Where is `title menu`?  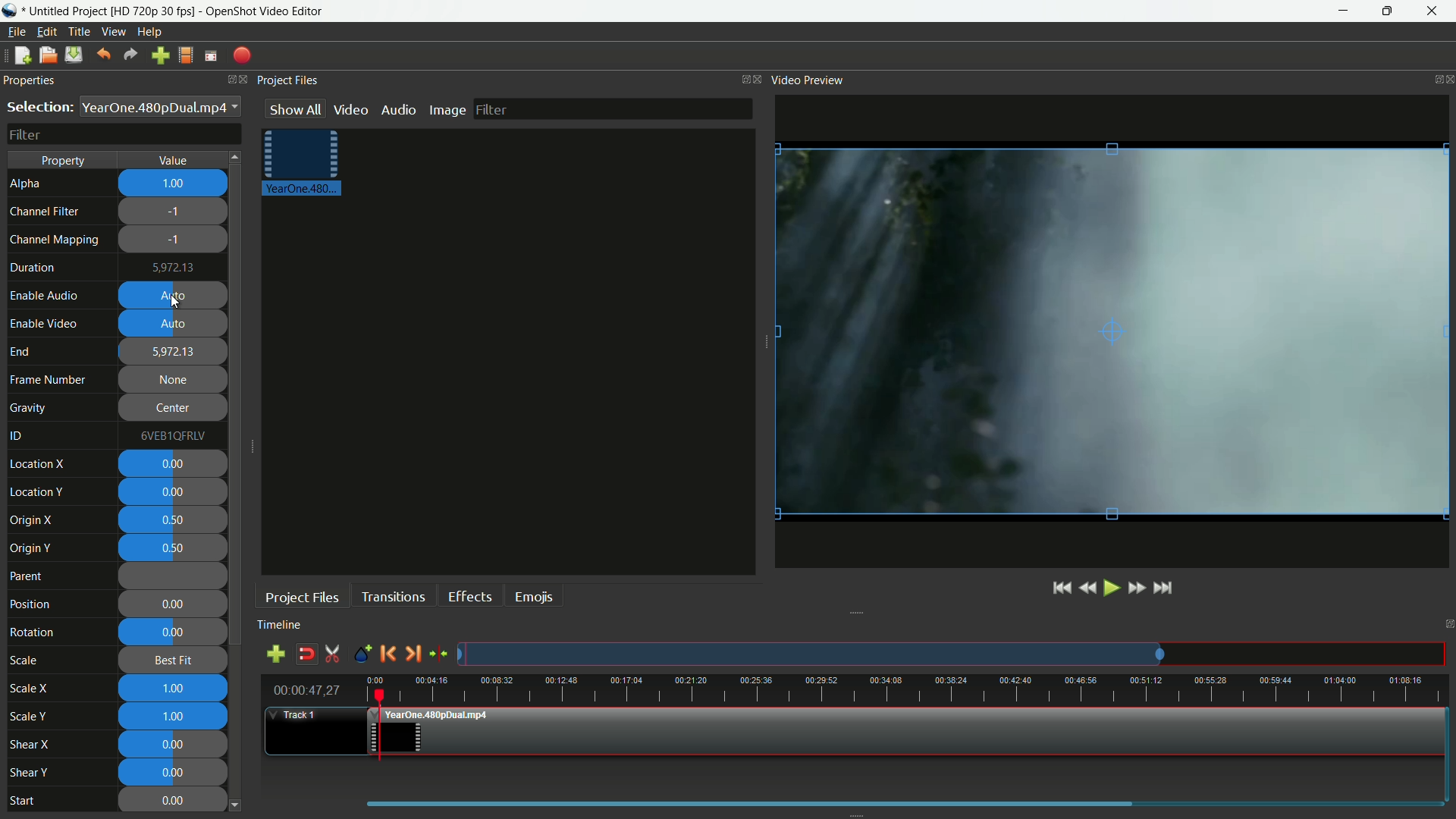
title menu is located at coordinates (80, 32).